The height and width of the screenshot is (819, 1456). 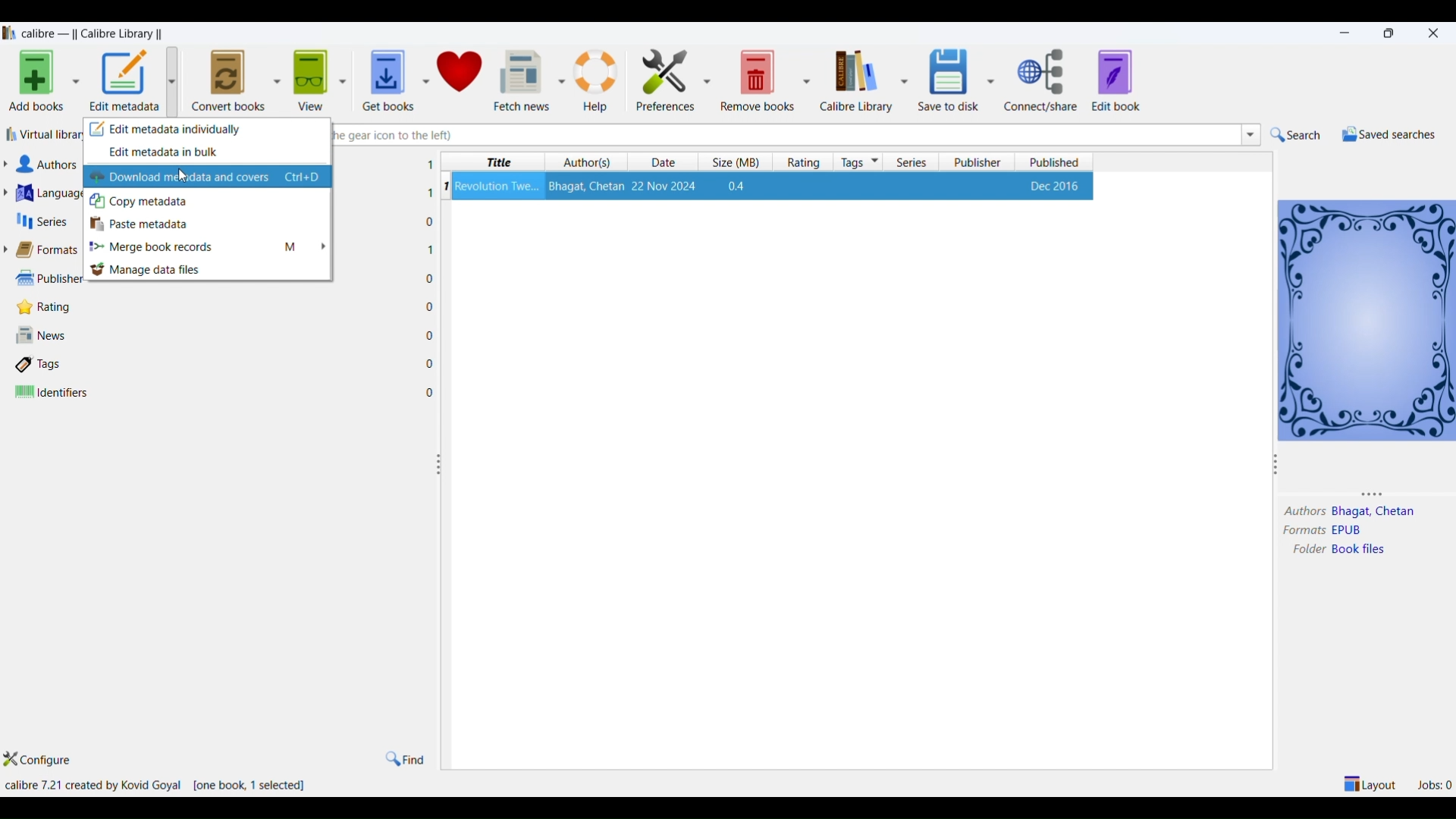 What do you see at coordinates (42, 221) in the screenshot?
I see `series and number of series` at bounding box center [42, 221].